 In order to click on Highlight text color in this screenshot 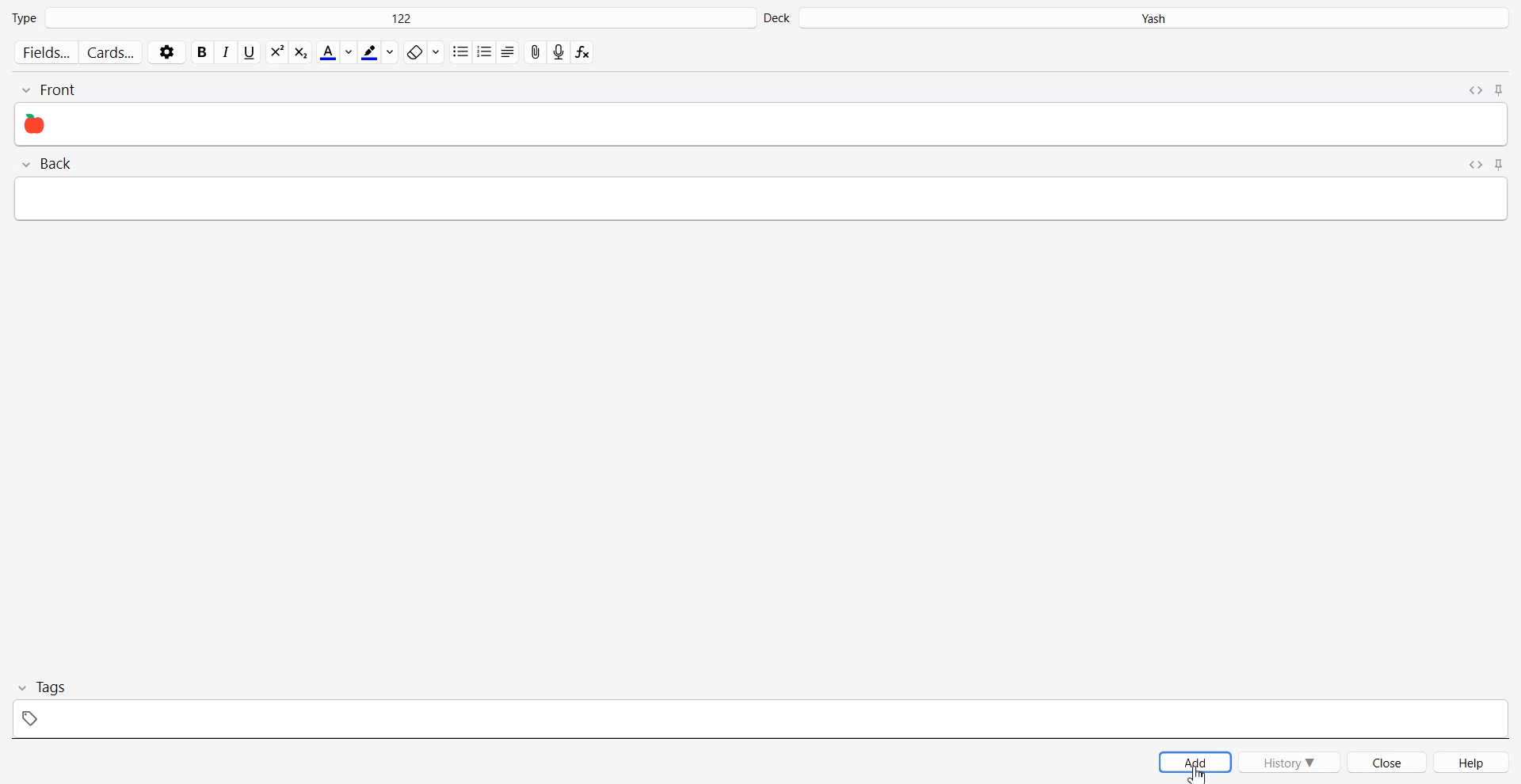, I will do `click(378, 52)`.